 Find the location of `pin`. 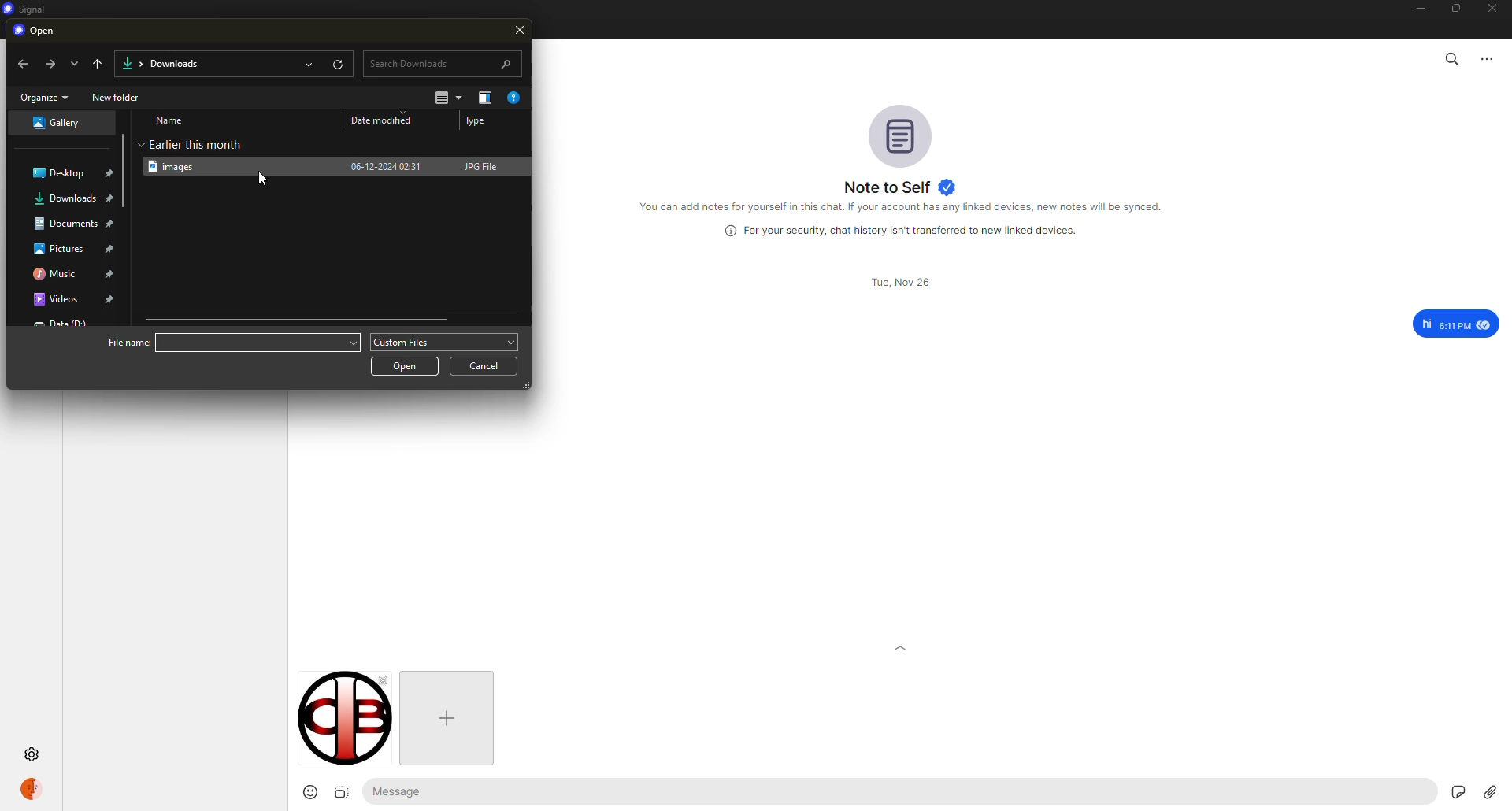

pin is located at coordinates (112, 174).